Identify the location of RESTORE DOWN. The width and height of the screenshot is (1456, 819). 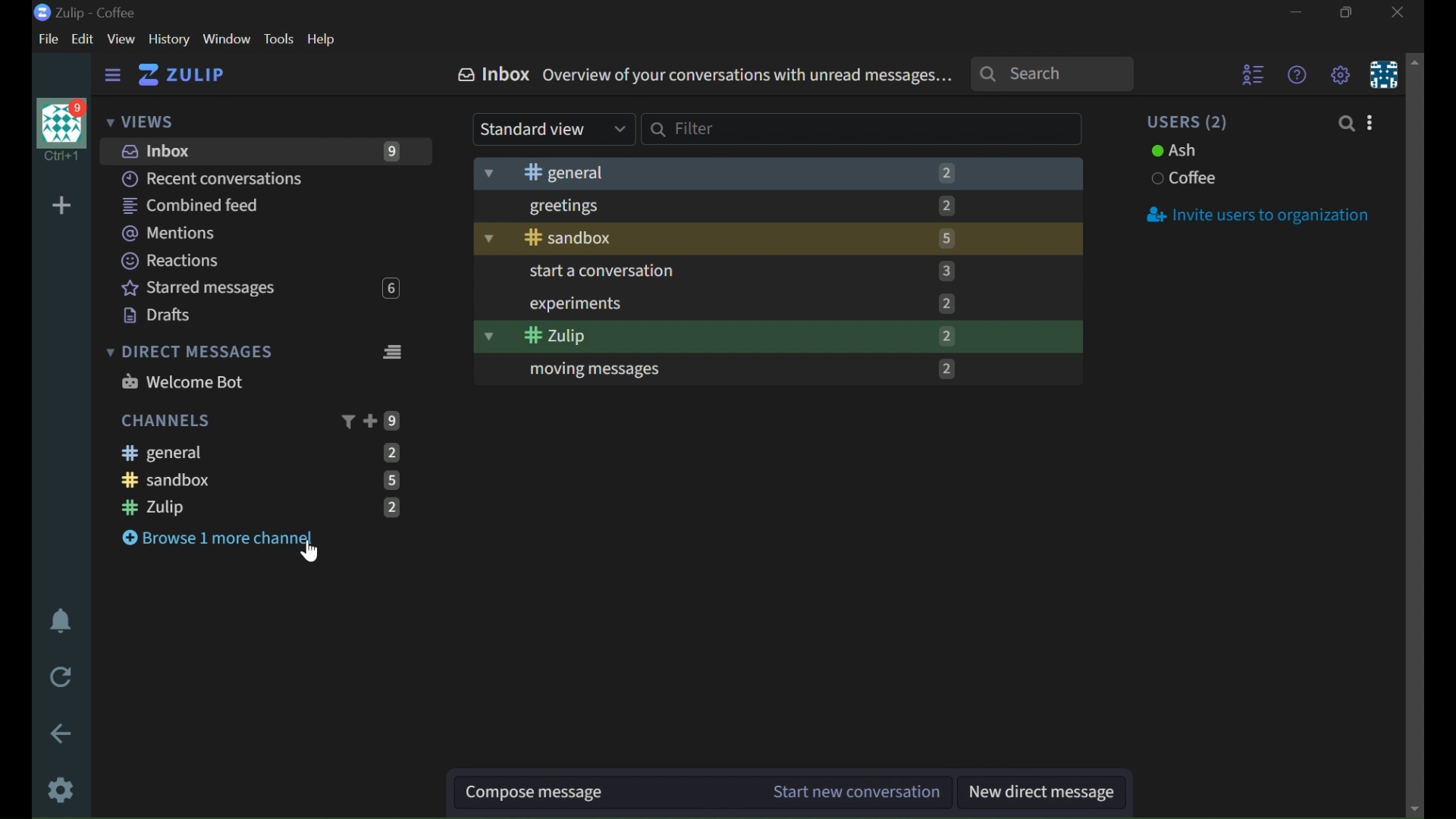
(1350, 12).